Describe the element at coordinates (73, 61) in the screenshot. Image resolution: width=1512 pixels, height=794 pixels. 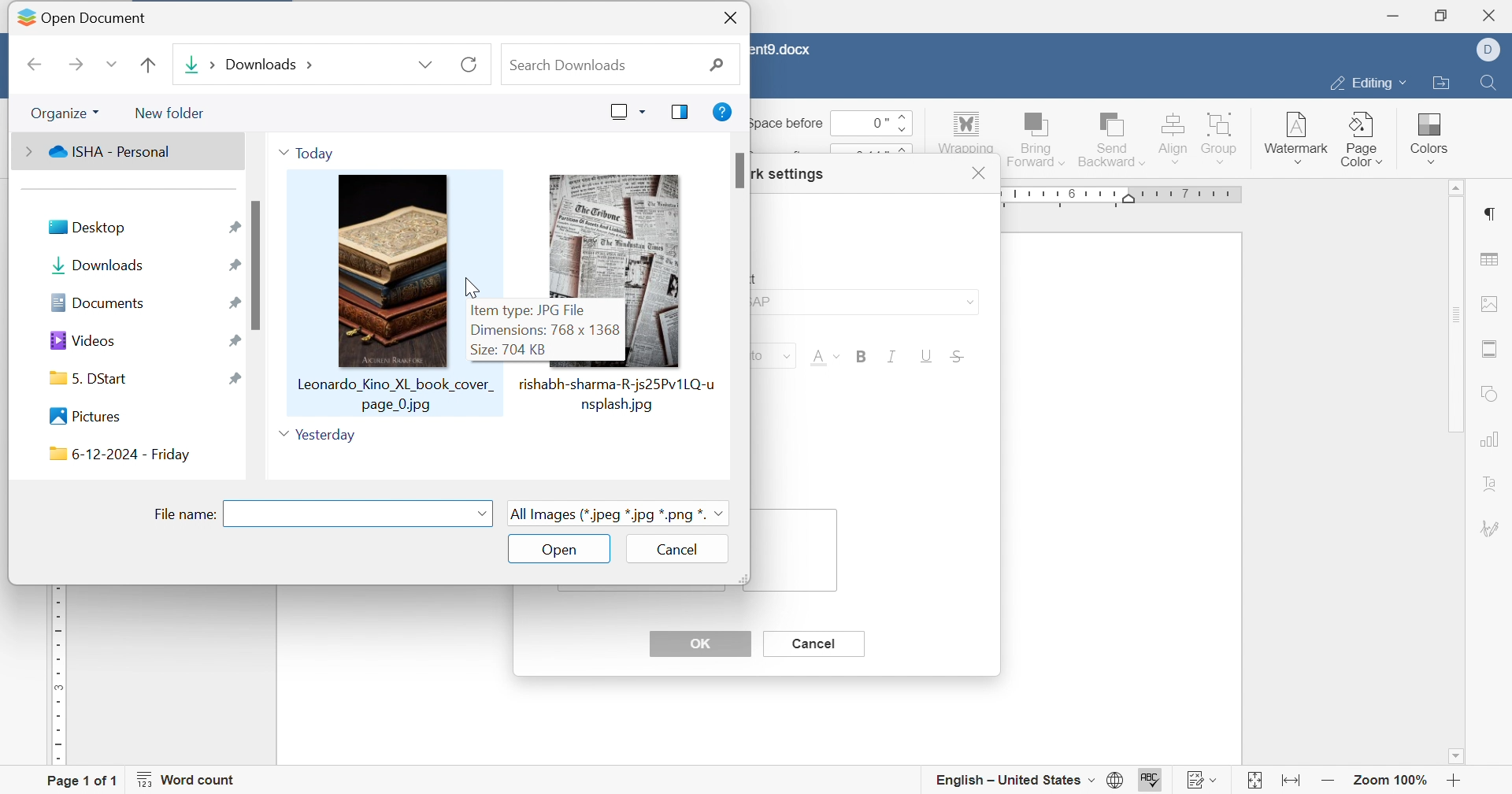
I see `forward` at that location.